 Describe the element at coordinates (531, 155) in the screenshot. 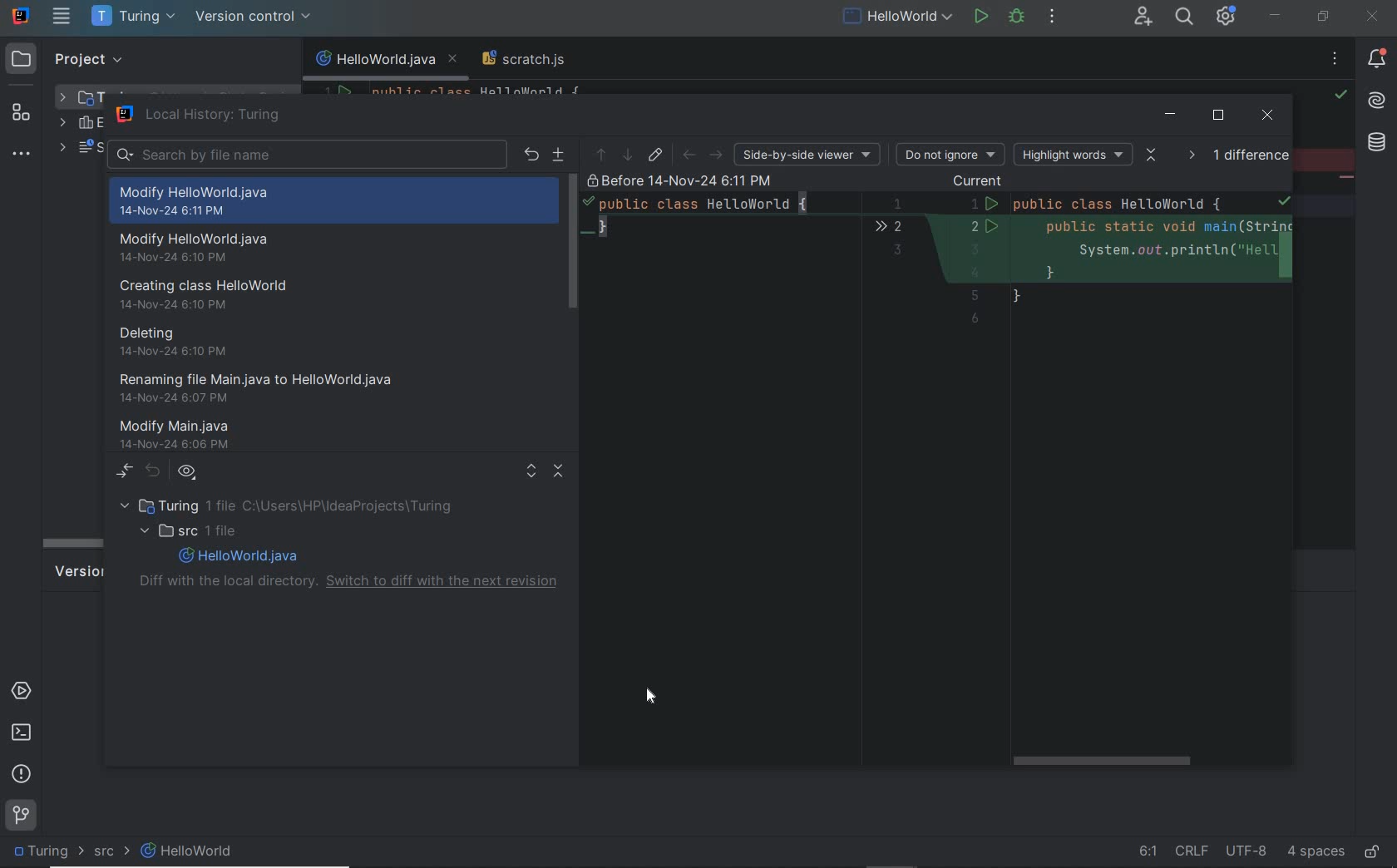

I see `revert selected` at that location.